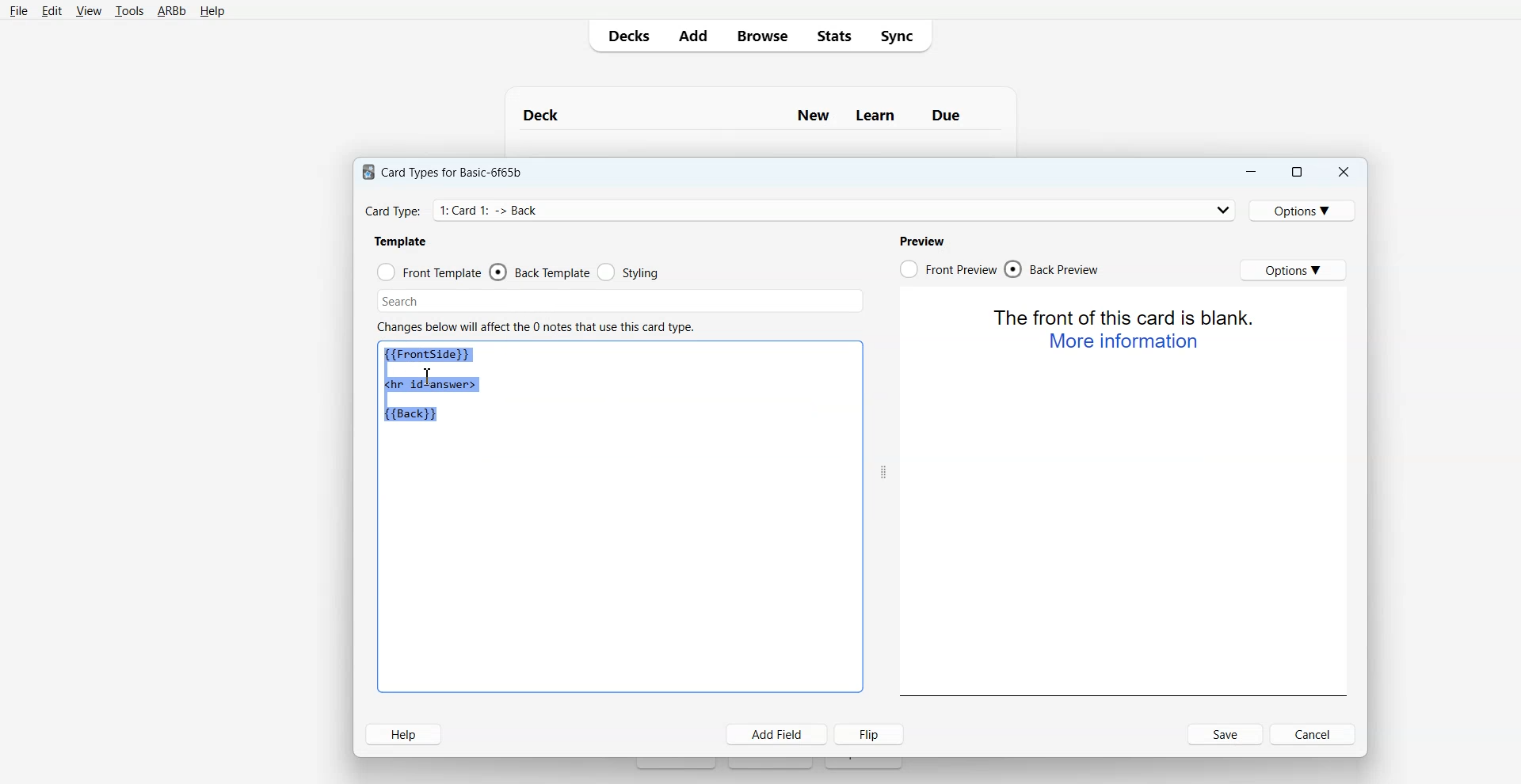  Describe the element at coordinates (172, 11) in the screenshot. I see `ARBb` at that location.